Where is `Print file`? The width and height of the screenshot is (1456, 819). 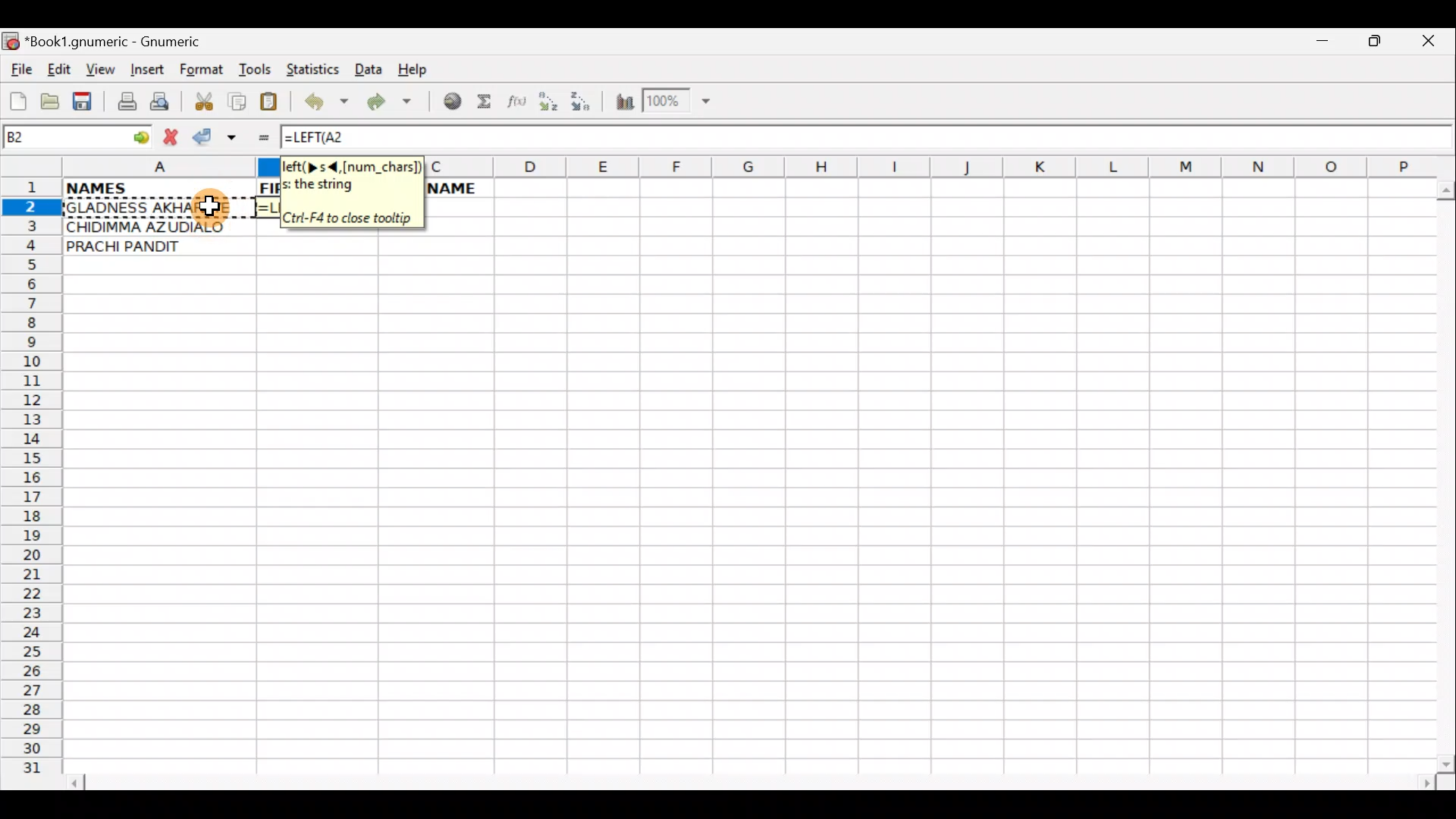
Print file is located at coordinates (123, 103).